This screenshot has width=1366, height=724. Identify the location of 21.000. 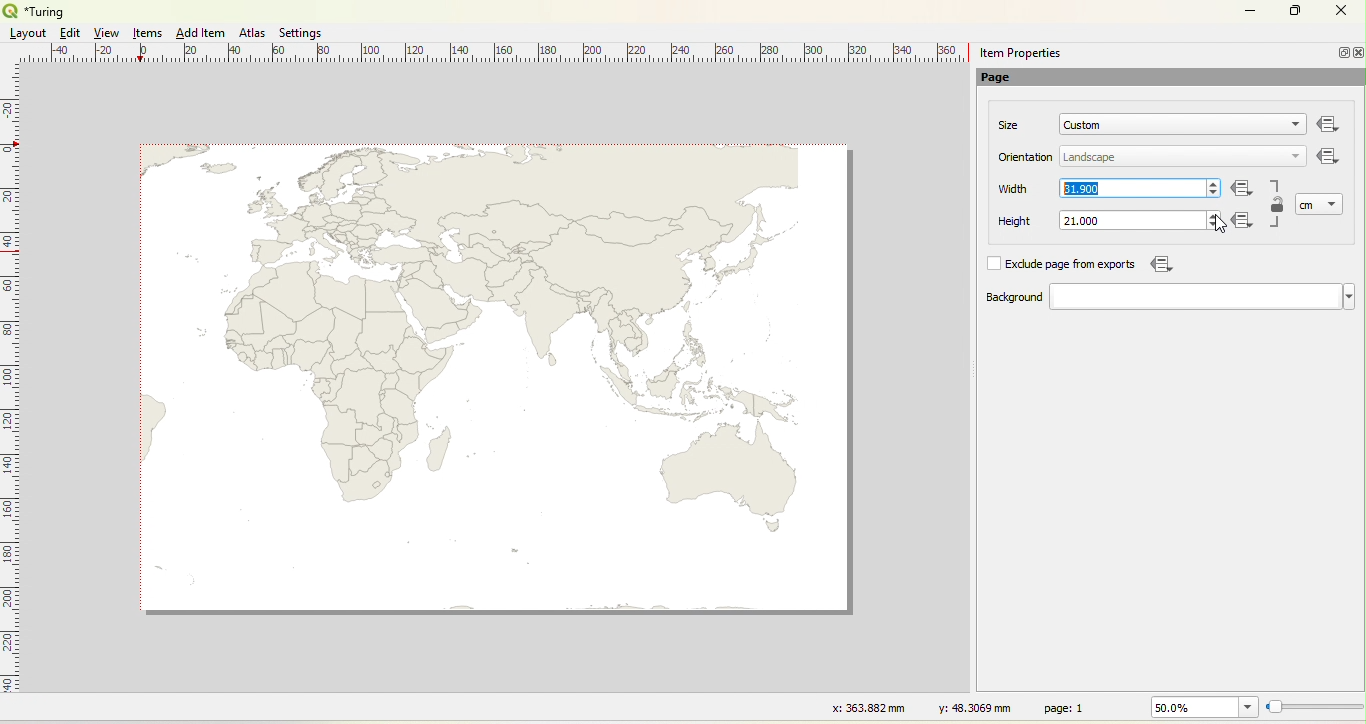
(1081, 221).